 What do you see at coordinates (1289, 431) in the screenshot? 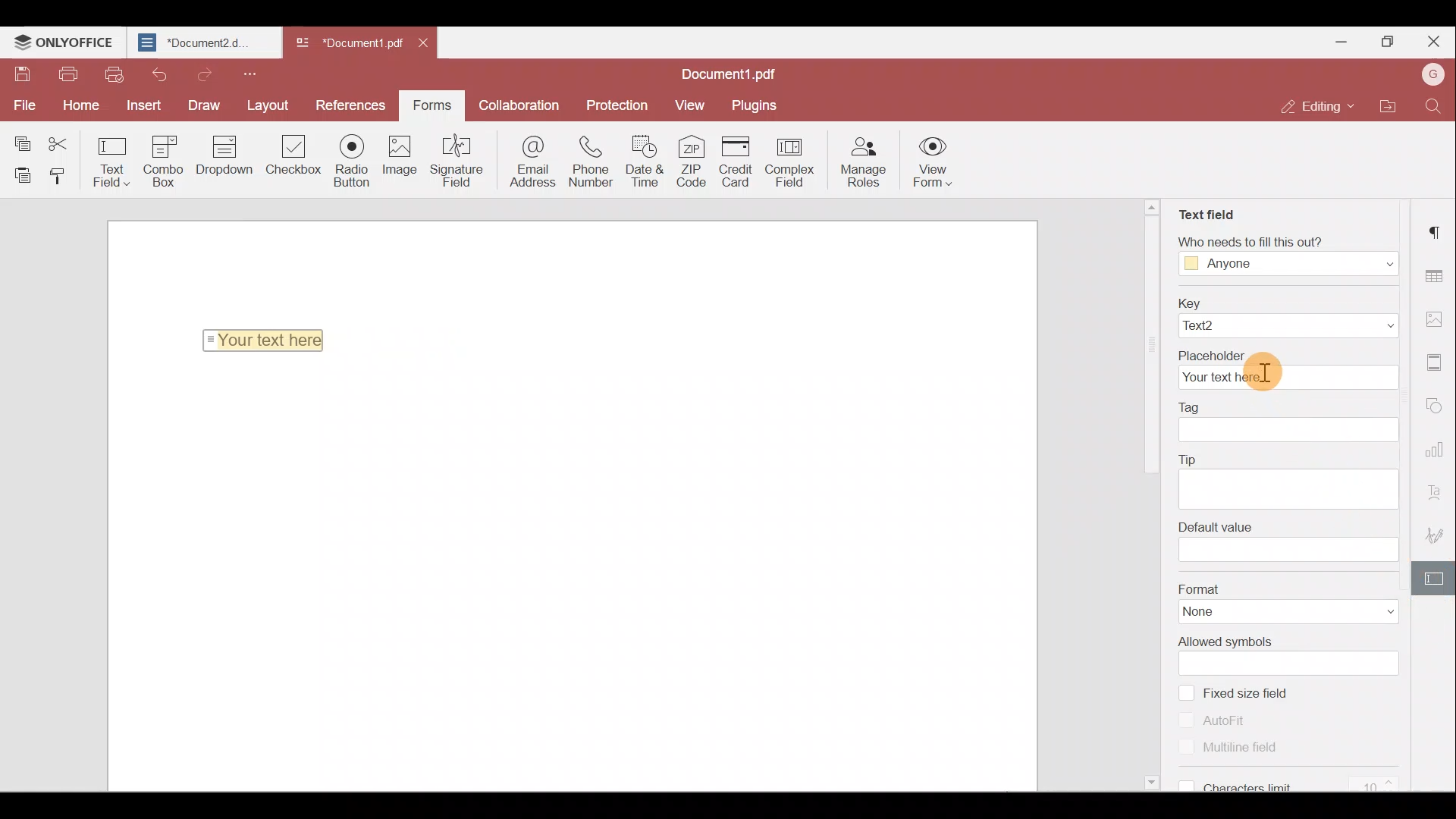
I see `tag field` at bounding box center [1289, 431].